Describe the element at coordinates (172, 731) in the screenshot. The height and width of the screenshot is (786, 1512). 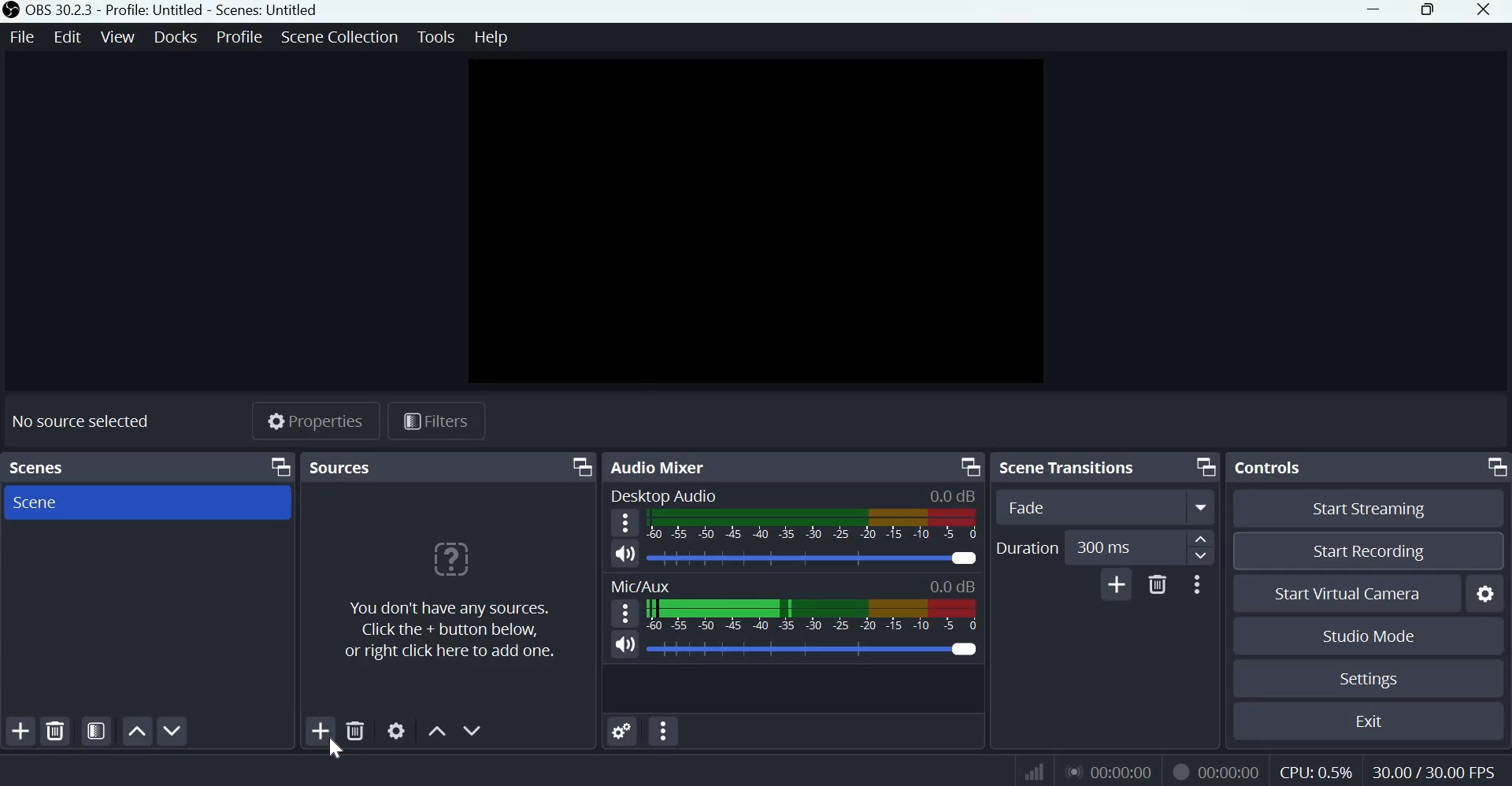
I see `Move scene down` at that location.